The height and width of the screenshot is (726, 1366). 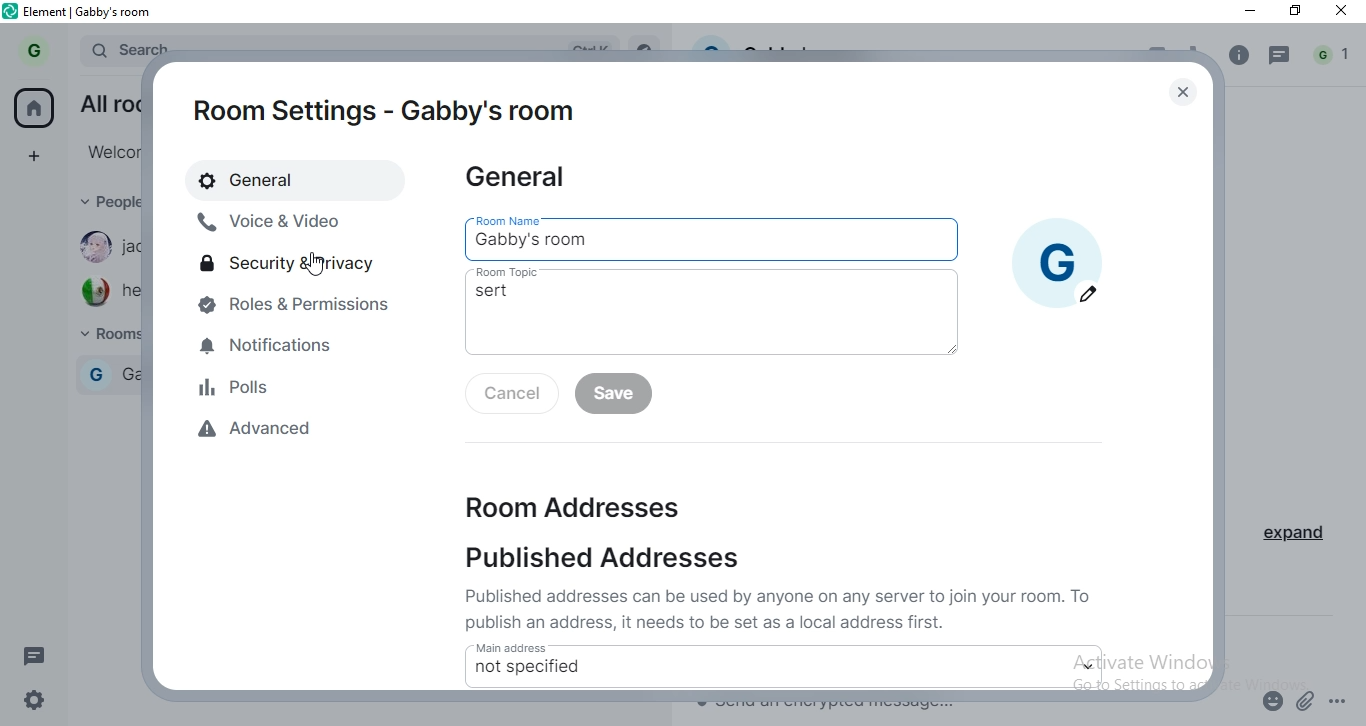 I want to click on options, so click(x=1340, y=697).